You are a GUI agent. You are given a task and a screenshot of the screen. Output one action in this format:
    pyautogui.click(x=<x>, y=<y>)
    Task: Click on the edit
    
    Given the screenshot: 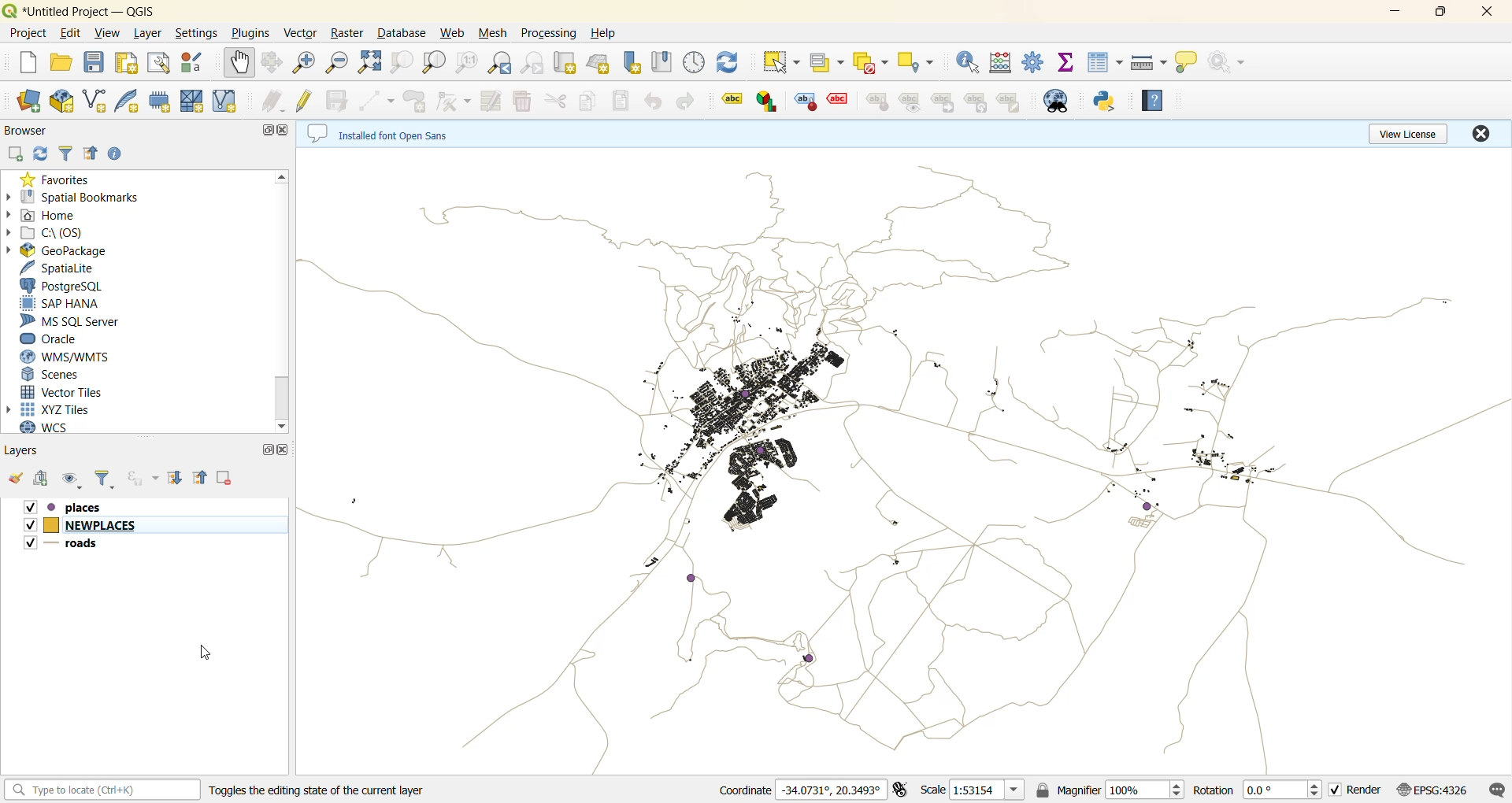 What is the action you would take?
    pyautogui.click(x=71, y=35)
    